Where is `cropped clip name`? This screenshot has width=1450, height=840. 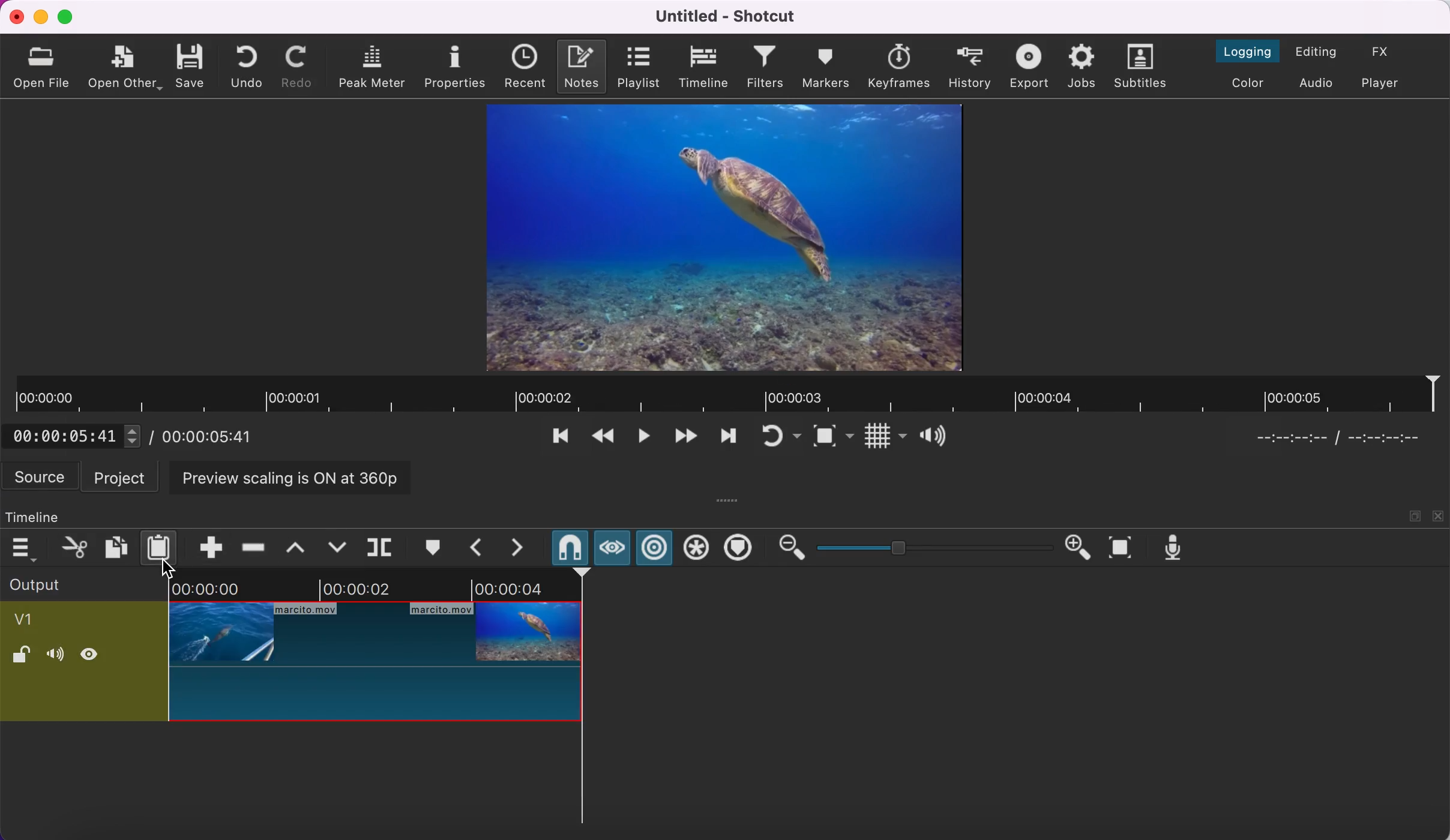 cropped clip name is located at coordinates (28, 618).